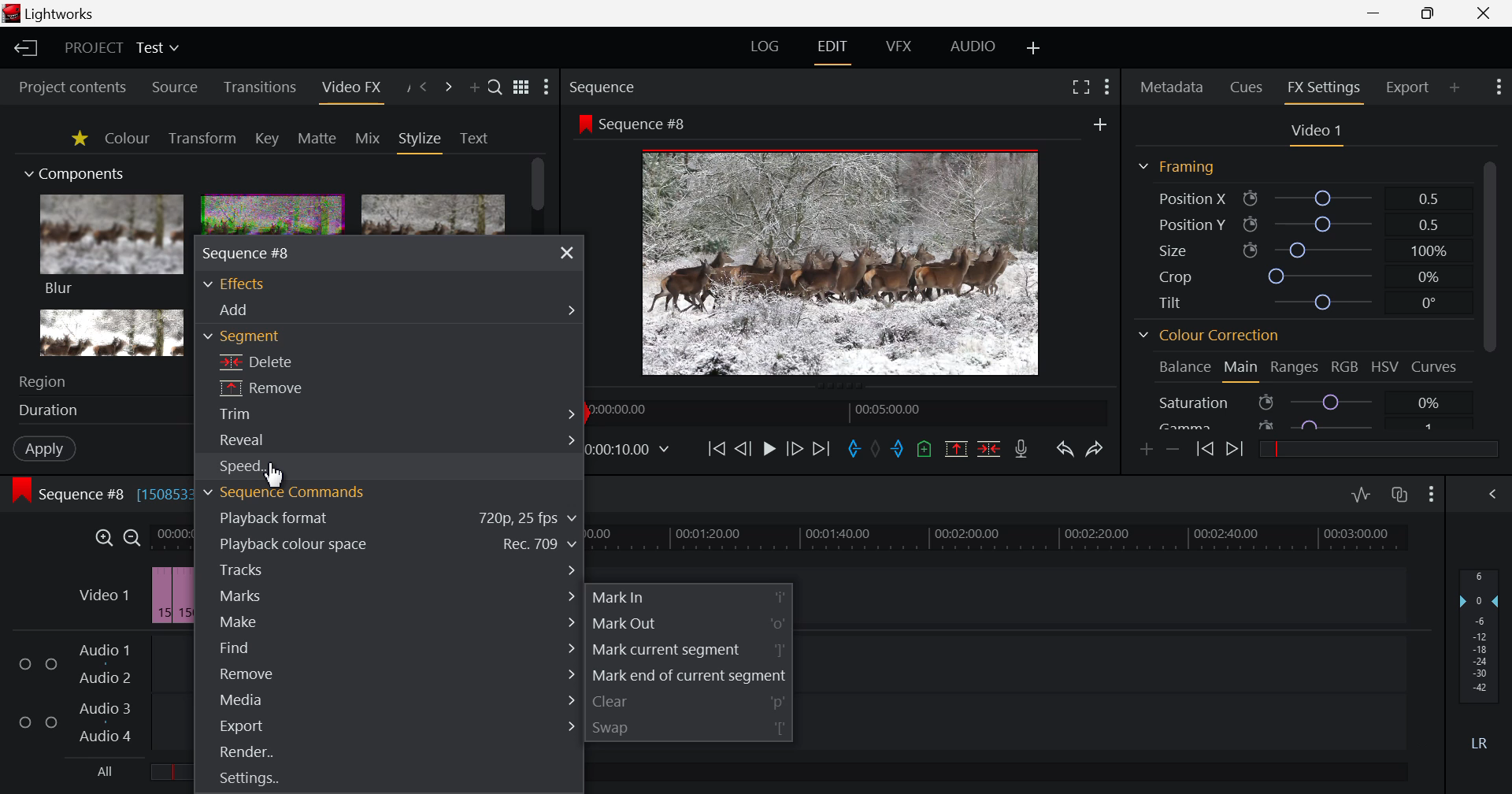  I want to click on Transform, so click(202, 138).